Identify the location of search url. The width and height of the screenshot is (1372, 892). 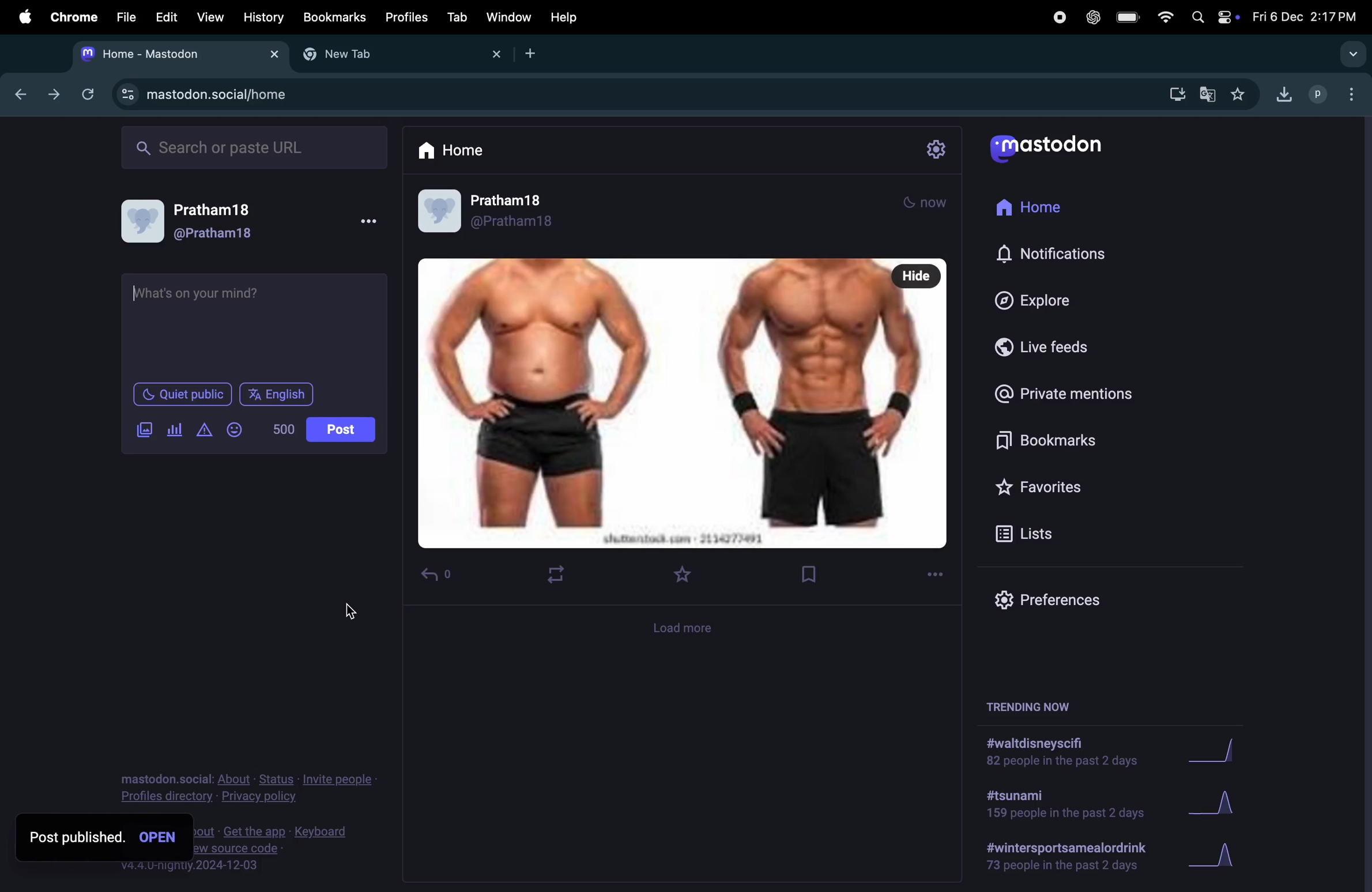
(256, 146).